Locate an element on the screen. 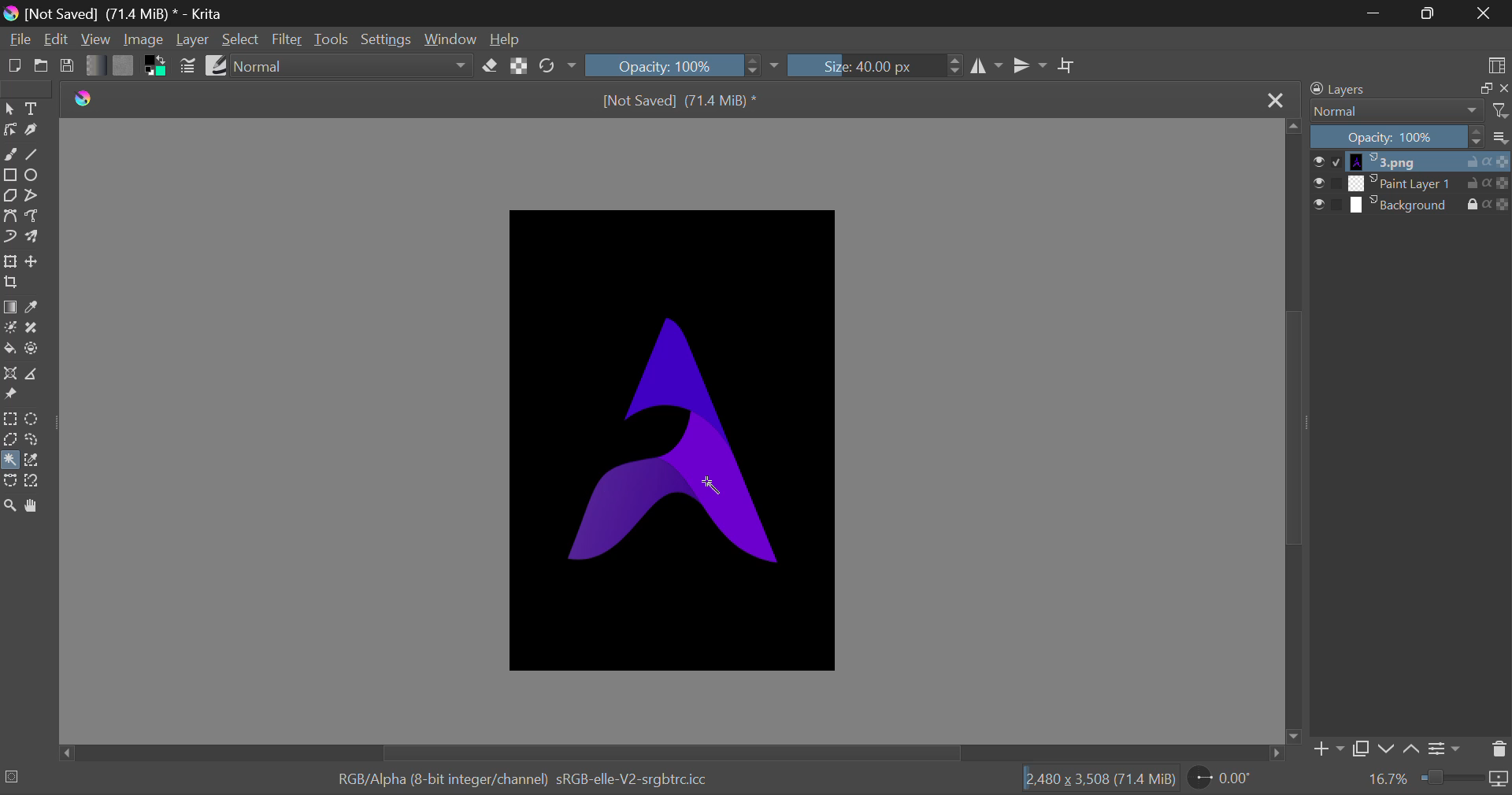 The width and height of the screenshot is (1512, 795). Bezier Curve is located at coordinates (9, 216).